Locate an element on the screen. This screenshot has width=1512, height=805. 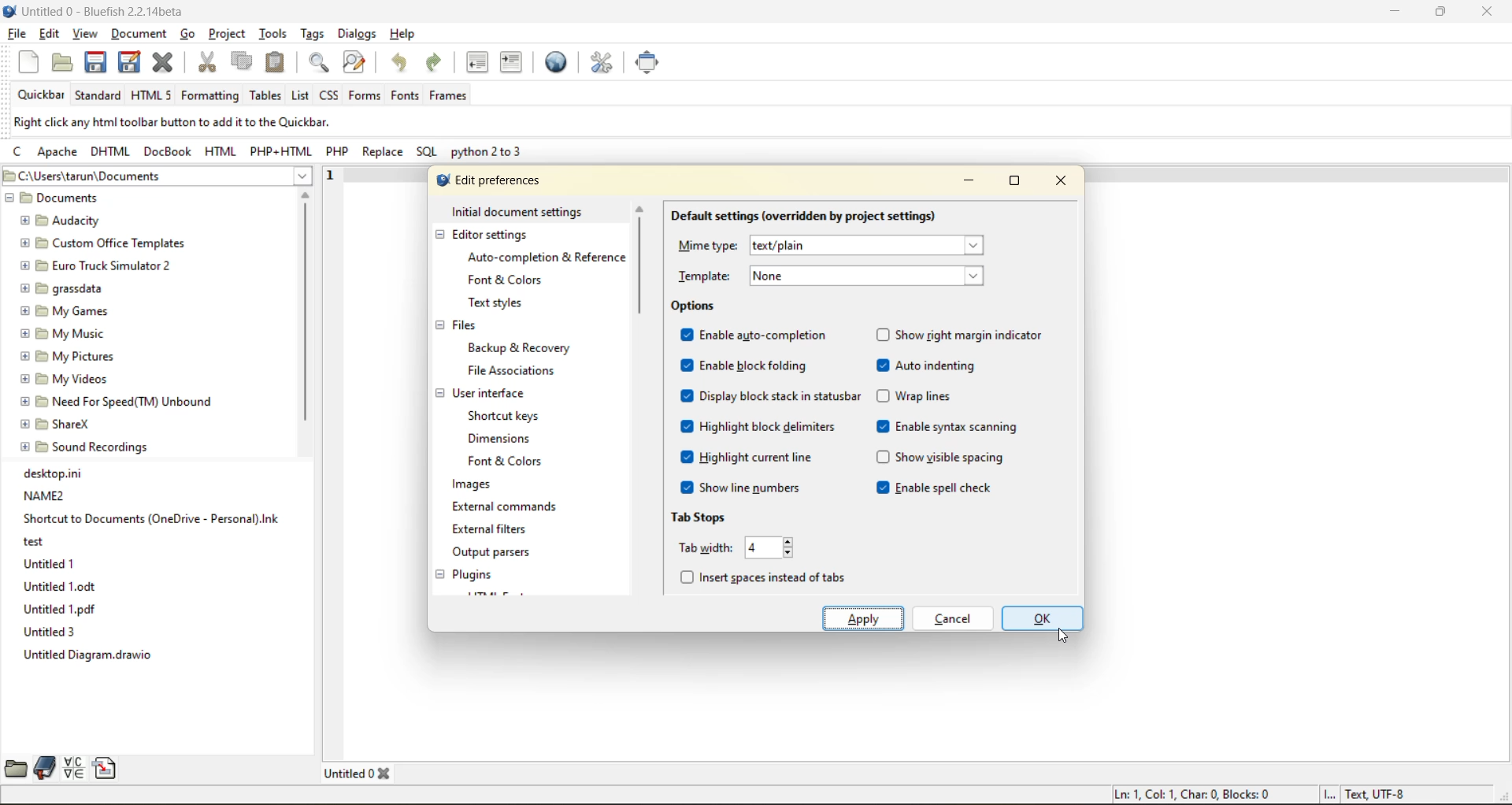
wrap lines is located at coordinates (917, 395).